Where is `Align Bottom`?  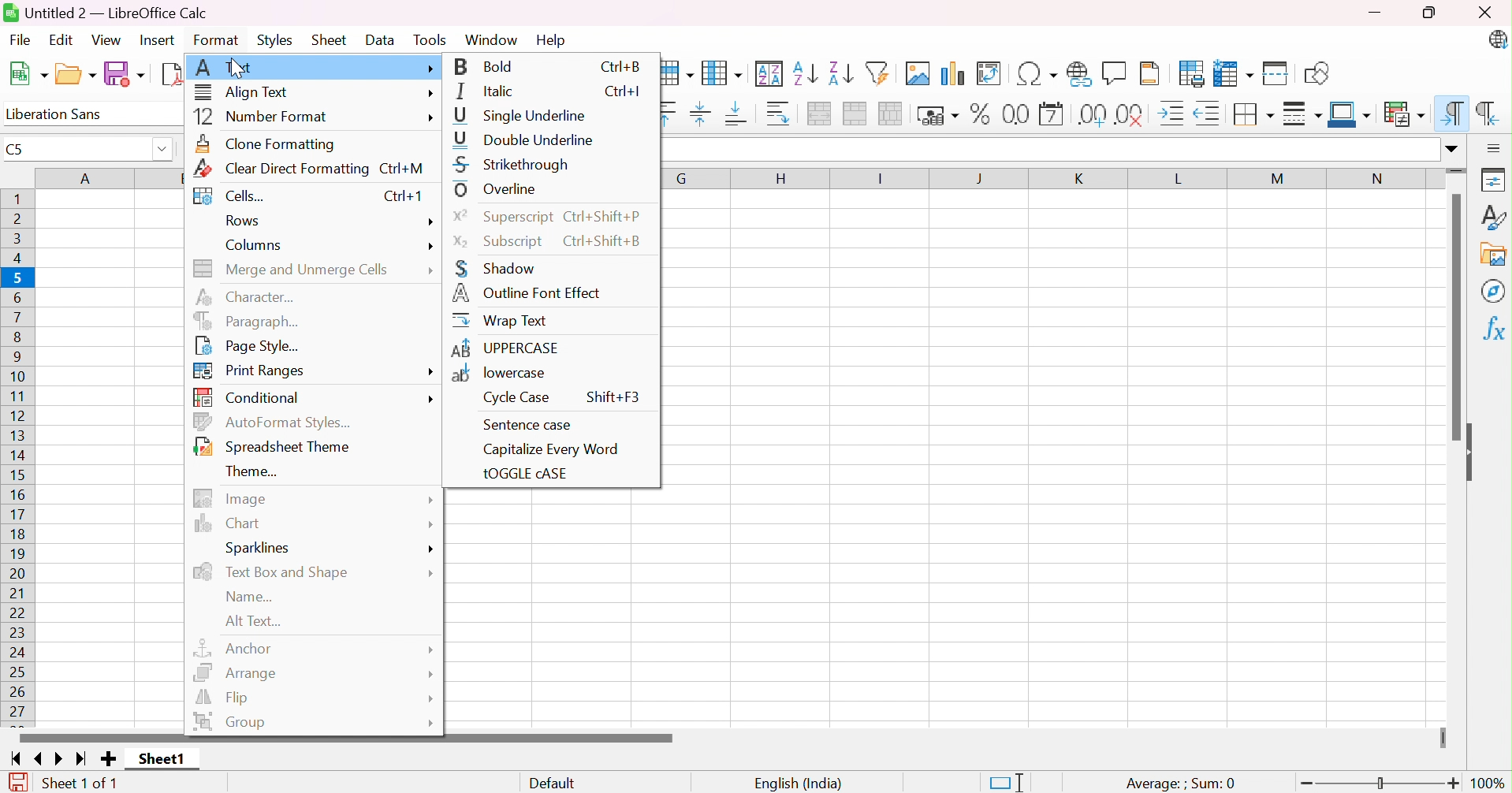
Align Bottom is located at coordinates (740, 116).